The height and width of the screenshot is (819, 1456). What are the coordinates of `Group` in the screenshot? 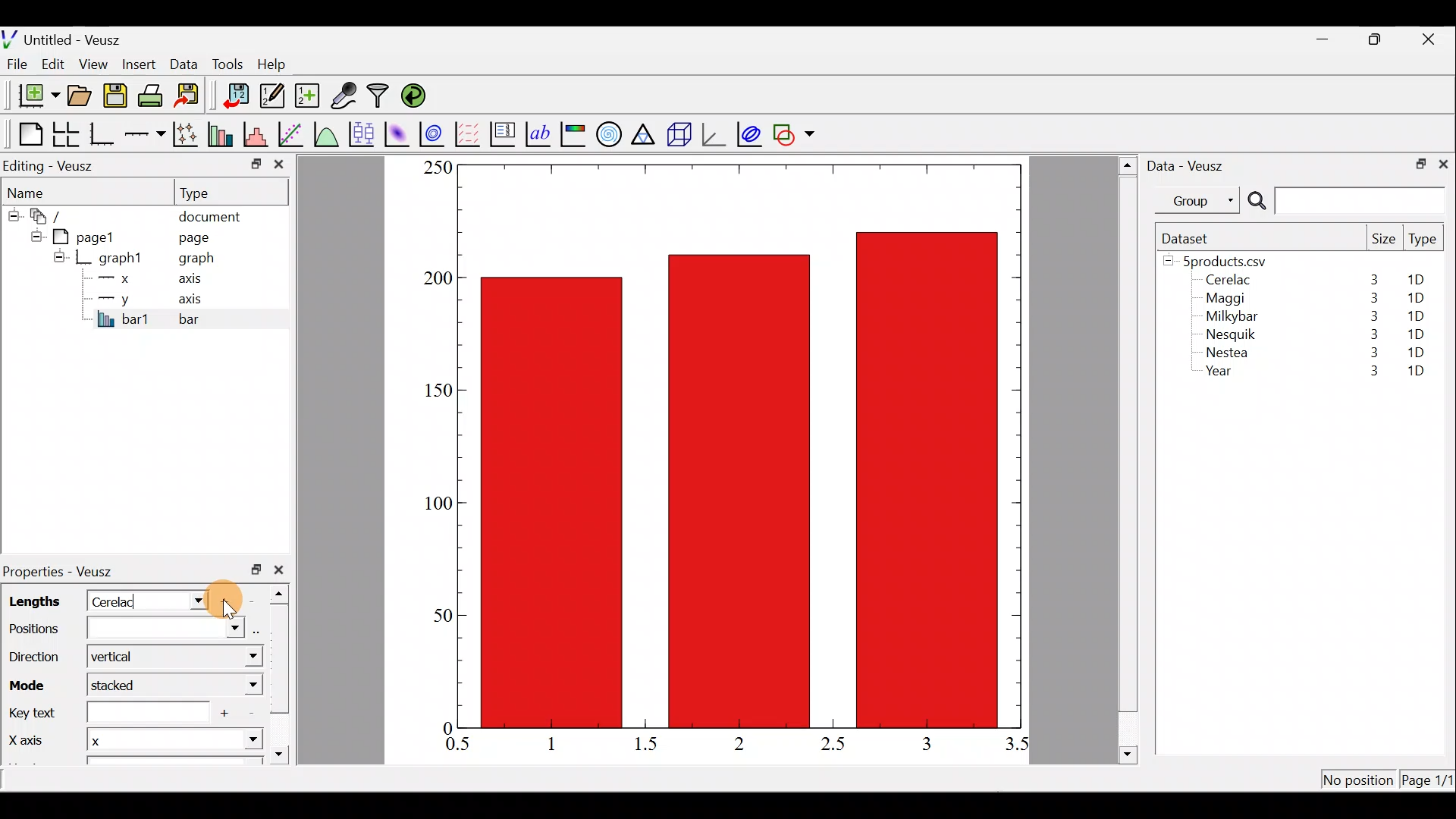 It's located at (1200, 199).